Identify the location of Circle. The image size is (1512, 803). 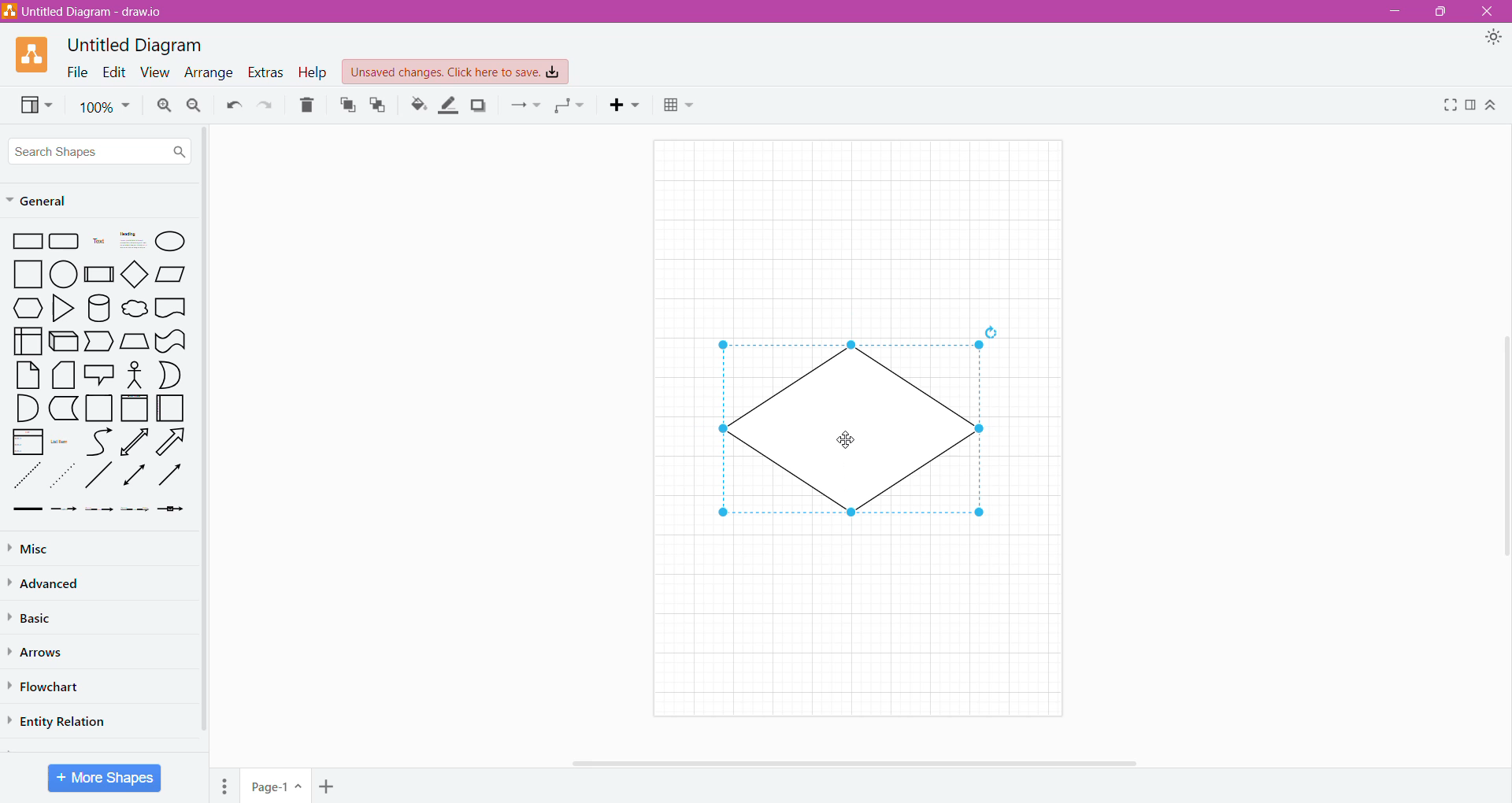
(65, 275).